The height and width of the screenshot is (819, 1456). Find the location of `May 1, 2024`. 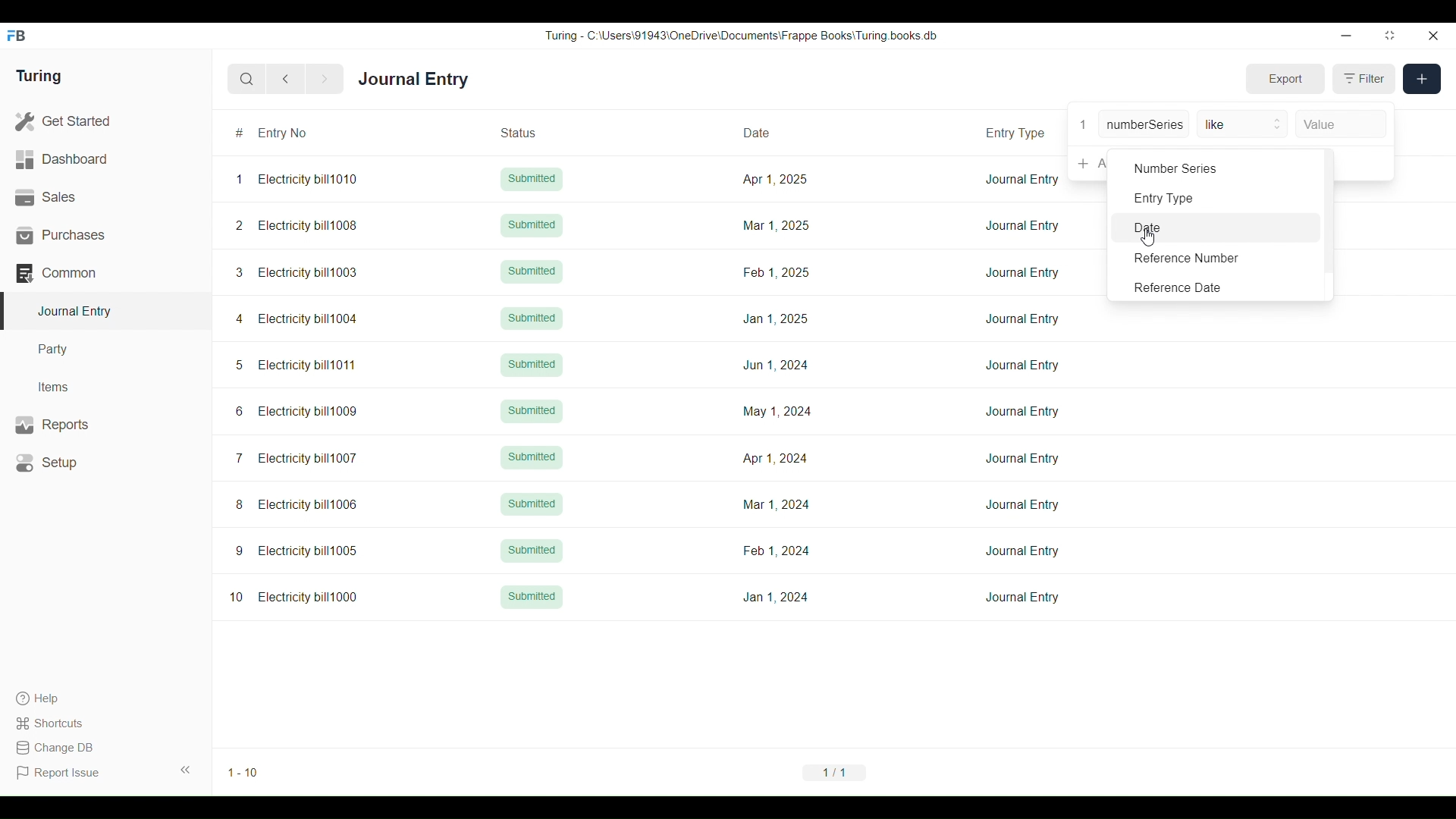

May 1, 2024 is located at coordinates (777, 410).